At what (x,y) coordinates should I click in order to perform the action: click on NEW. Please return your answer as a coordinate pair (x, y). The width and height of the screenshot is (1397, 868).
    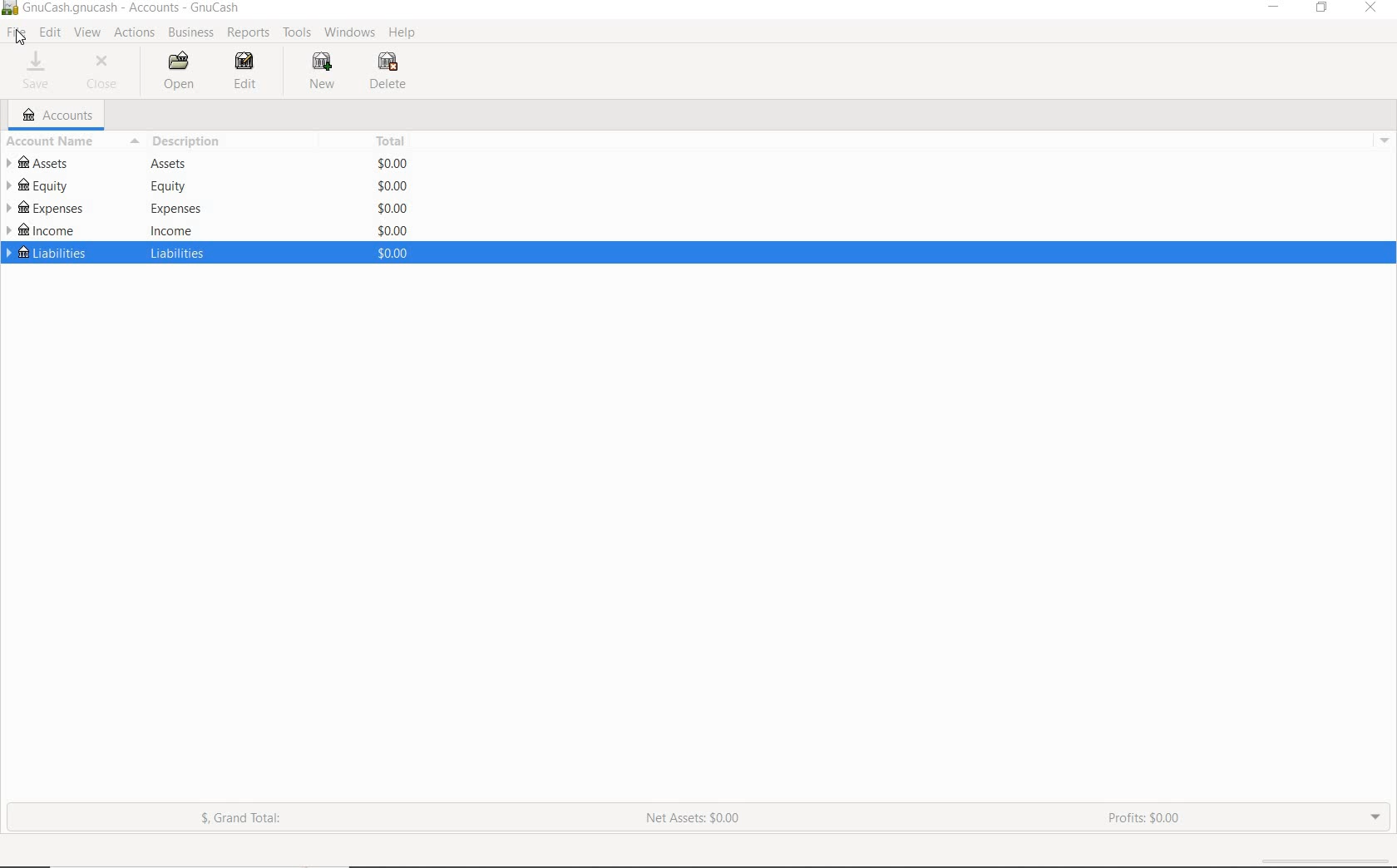
    Looking at the image, I should click on (321, 74).